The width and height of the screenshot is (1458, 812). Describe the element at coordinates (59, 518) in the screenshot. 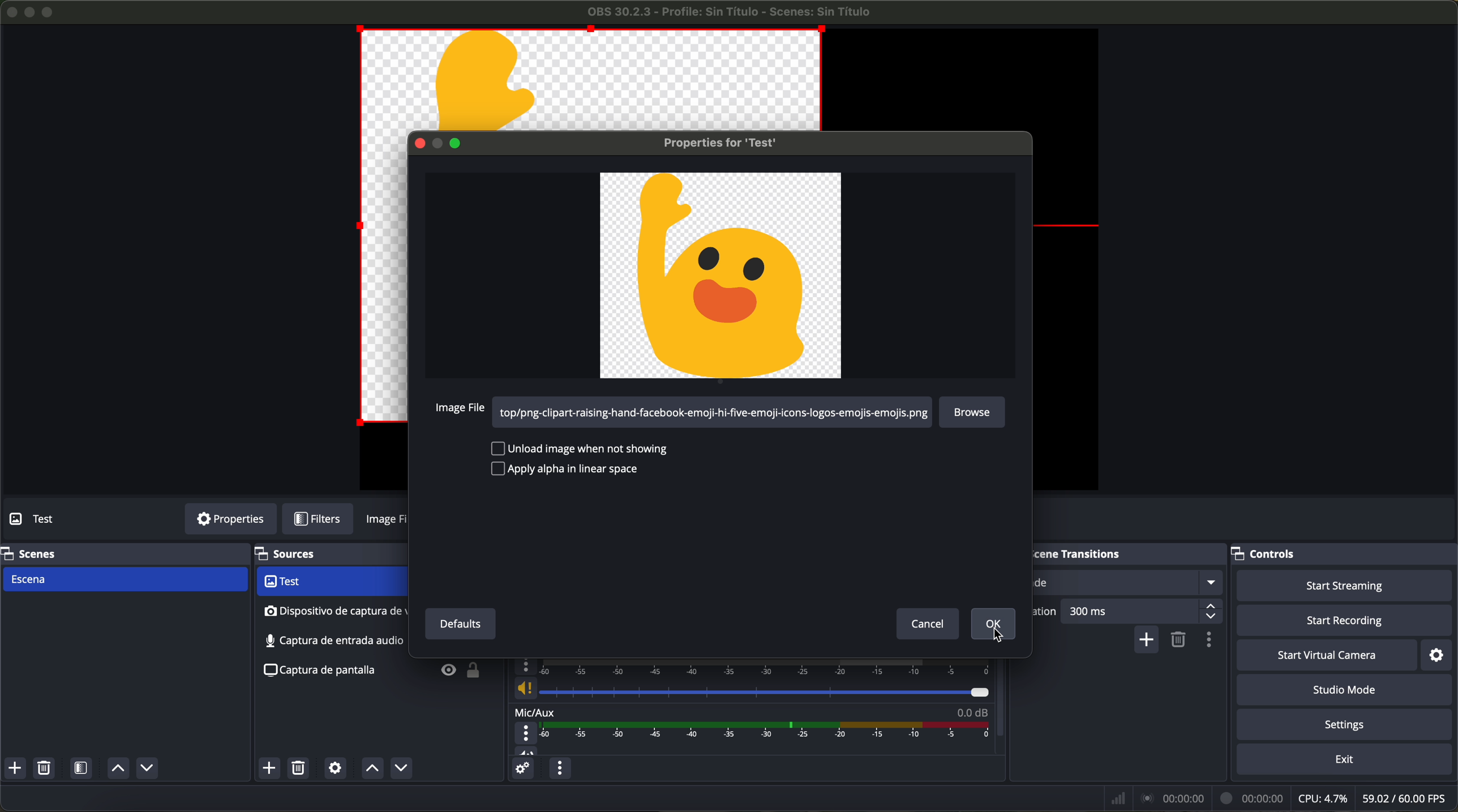

I see `no source selected` at that location.